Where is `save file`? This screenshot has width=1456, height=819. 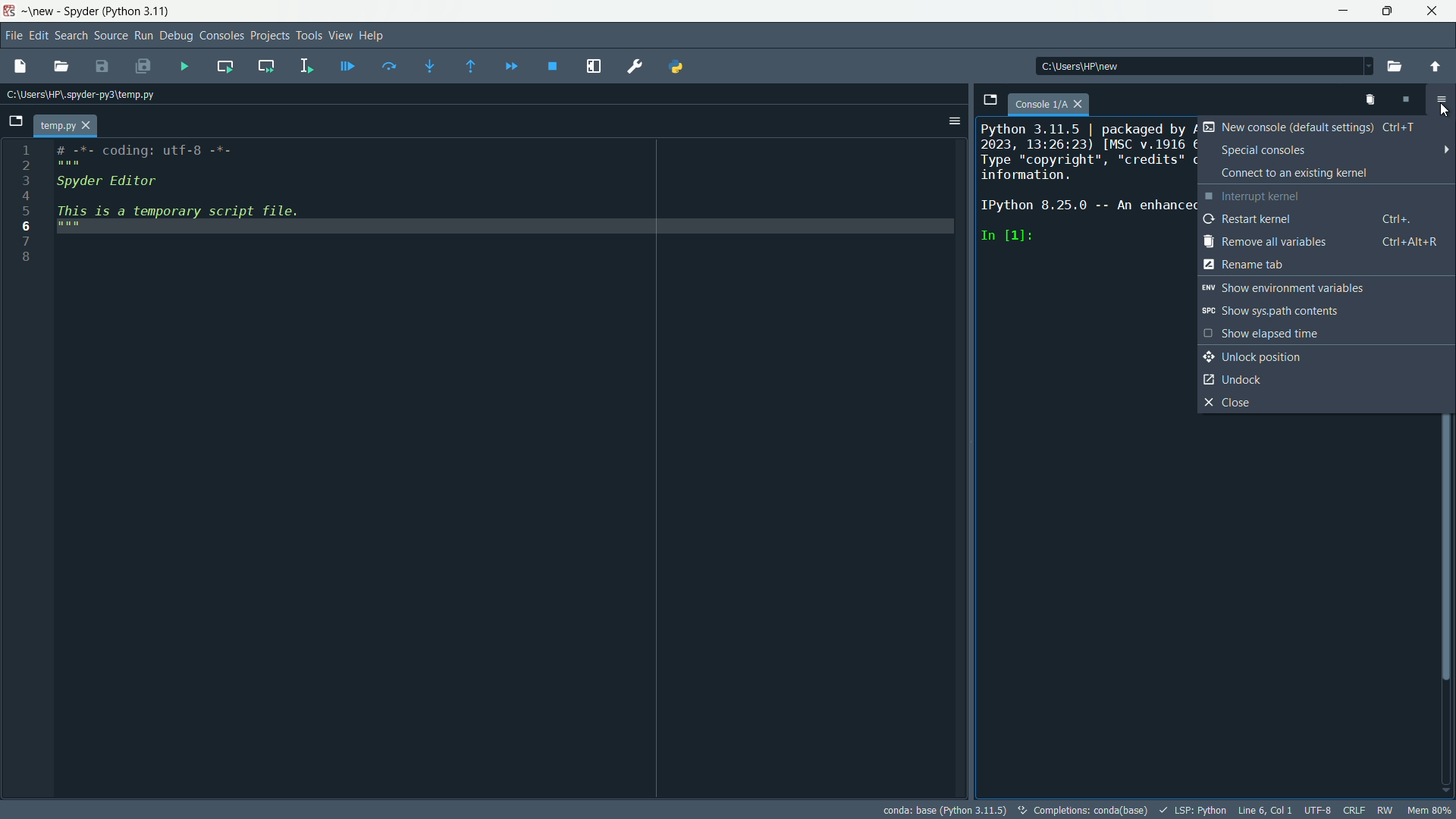 save file is located at coordinates (100, 66).